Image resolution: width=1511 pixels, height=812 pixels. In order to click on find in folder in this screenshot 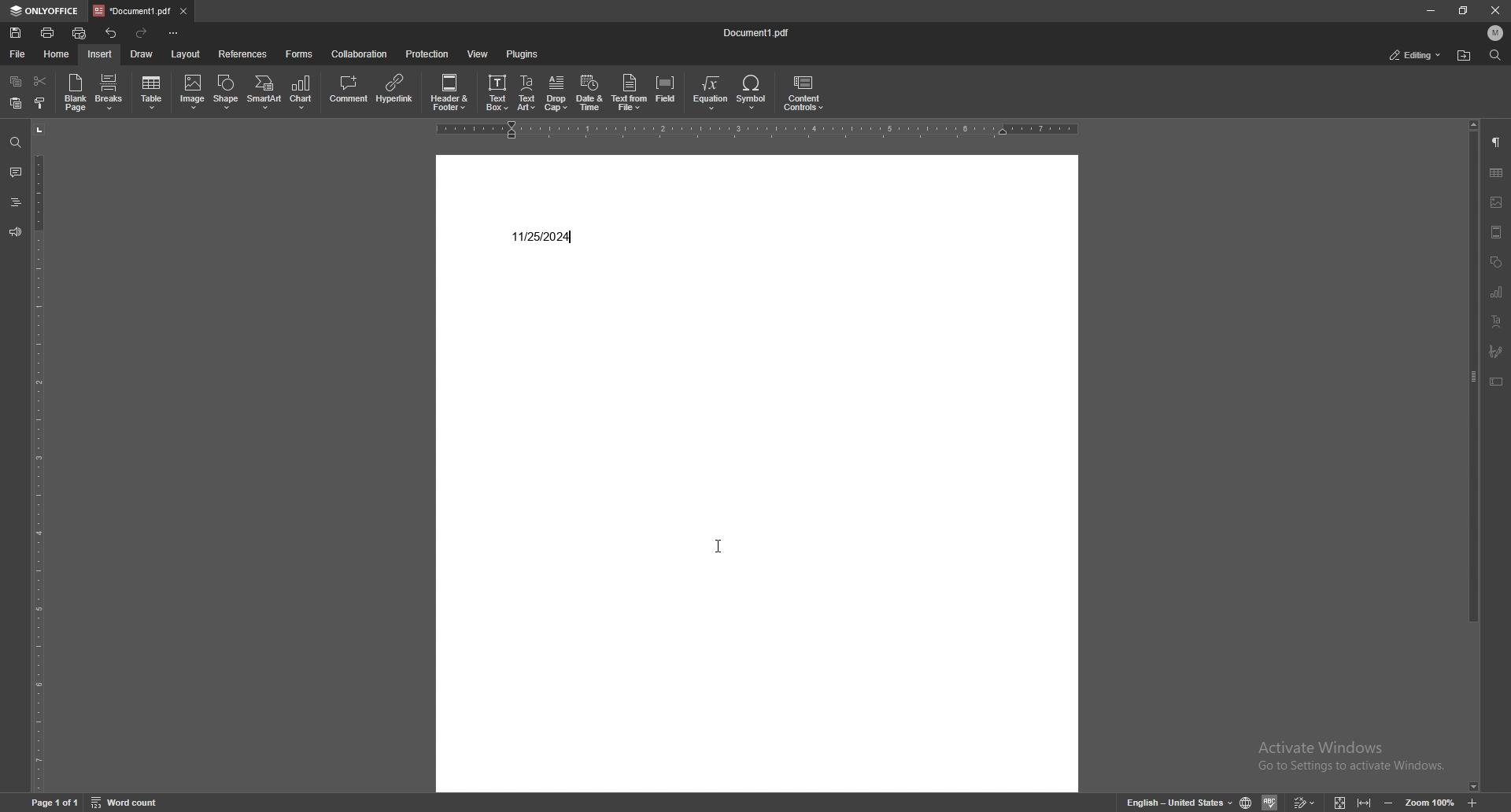, I will do `click(1464, 56)`.